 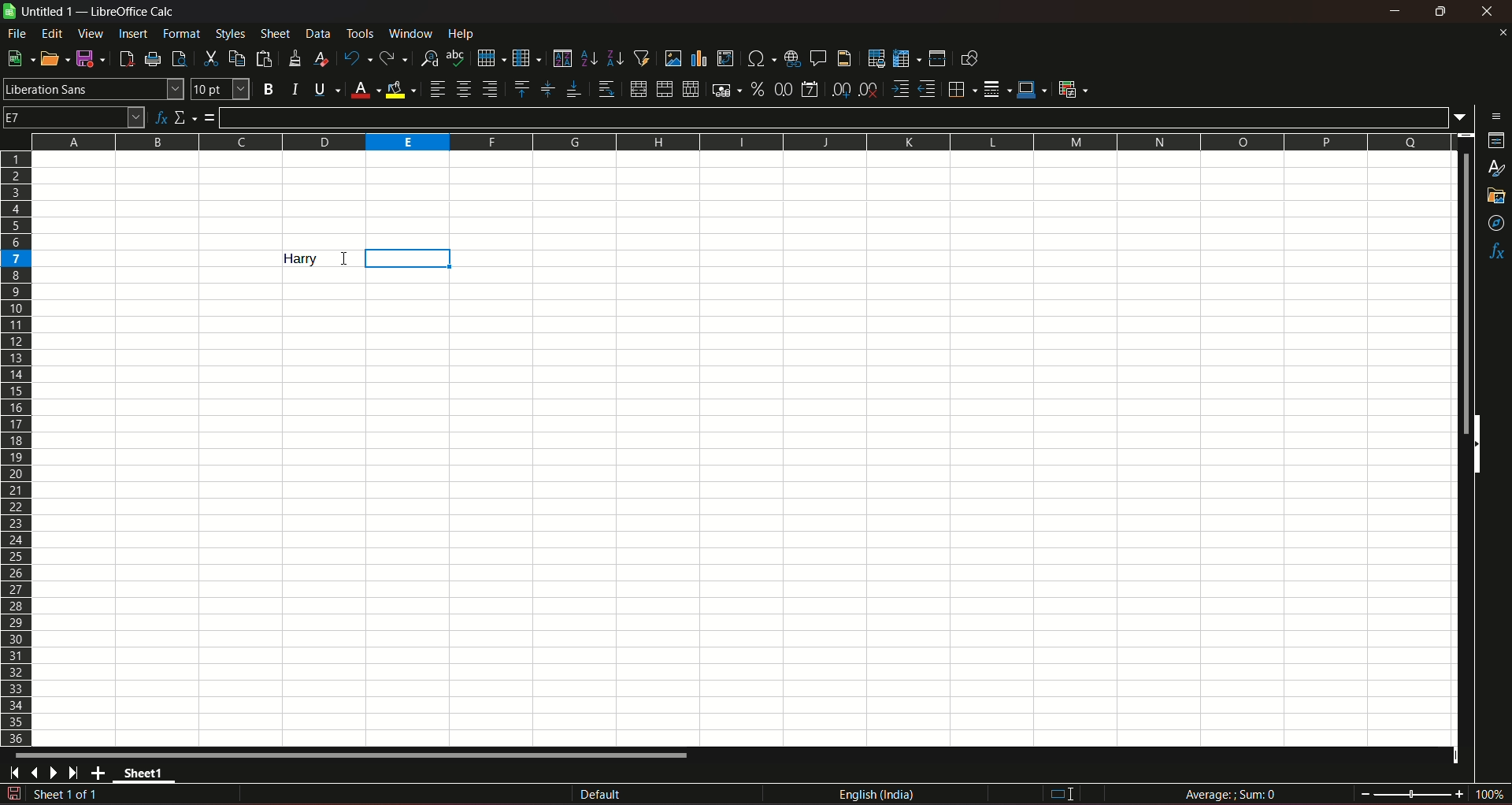 What do you see at coordinates (1497, 115) in the screenshot?
I see `sidebar settings` at bounding box center [1497, 115].